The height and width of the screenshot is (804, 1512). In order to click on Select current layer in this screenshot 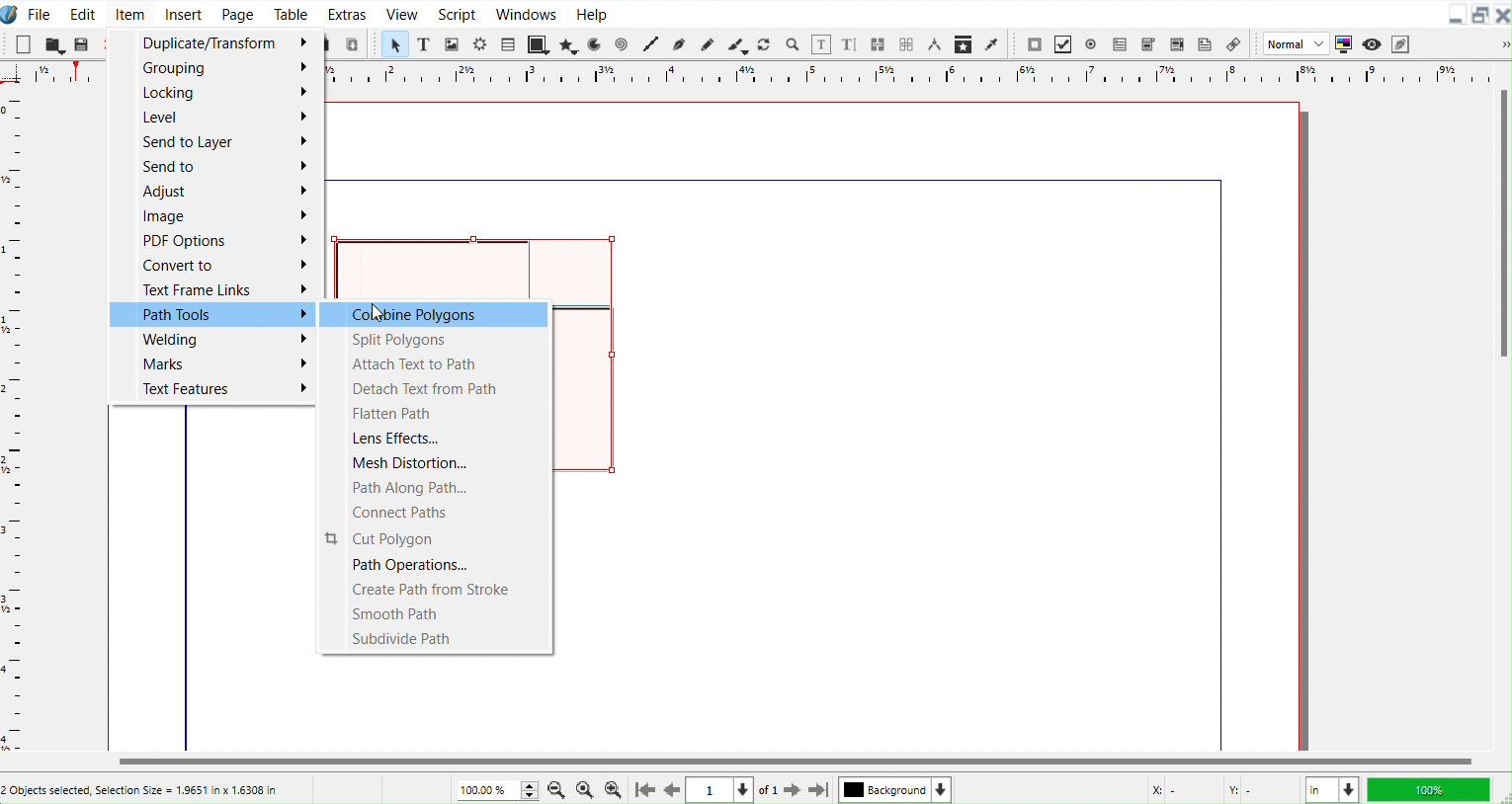, I will do `click(895, 789)`.